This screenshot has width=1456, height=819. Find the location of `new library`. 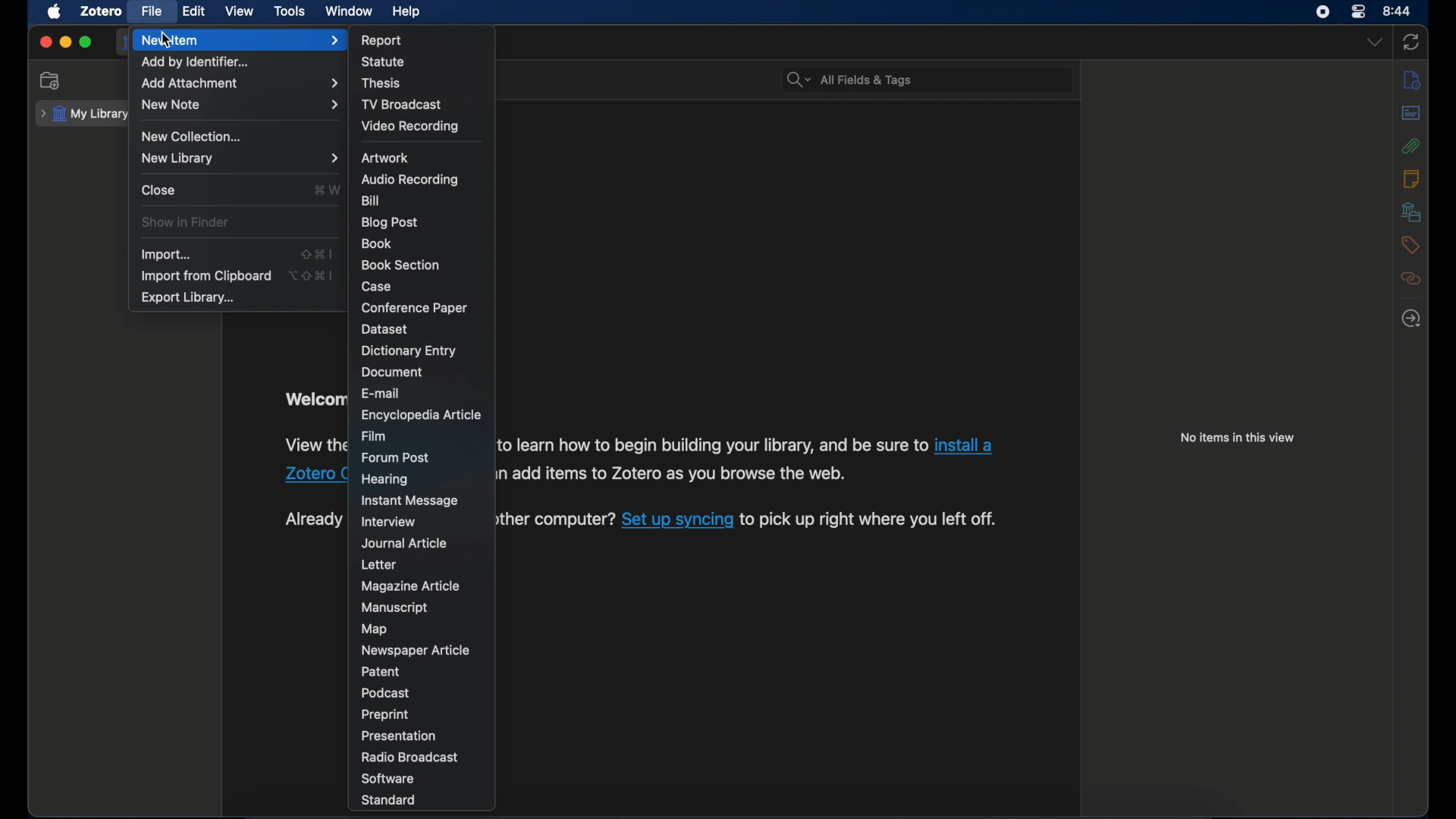

new library is located at coordinates (240, 158).